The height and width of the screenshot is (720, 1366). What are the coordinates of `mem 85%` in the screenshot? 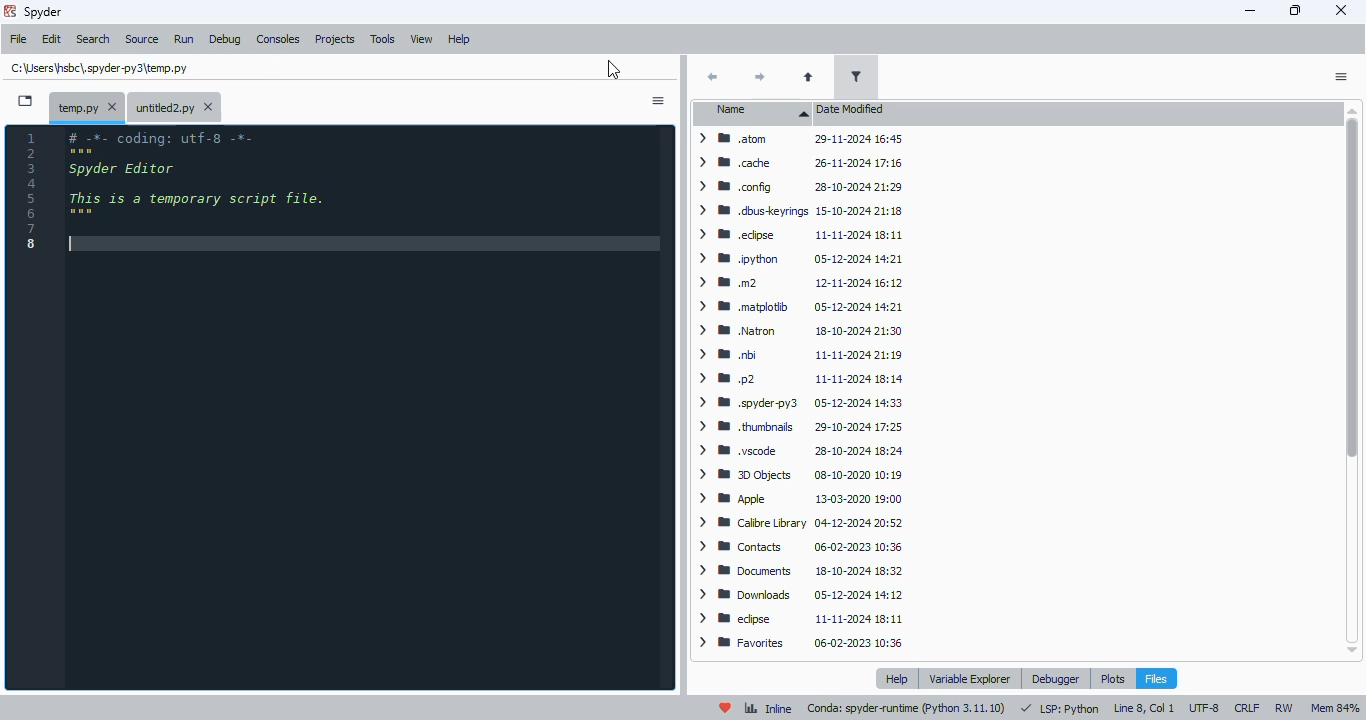 It's located at (1335, 708).